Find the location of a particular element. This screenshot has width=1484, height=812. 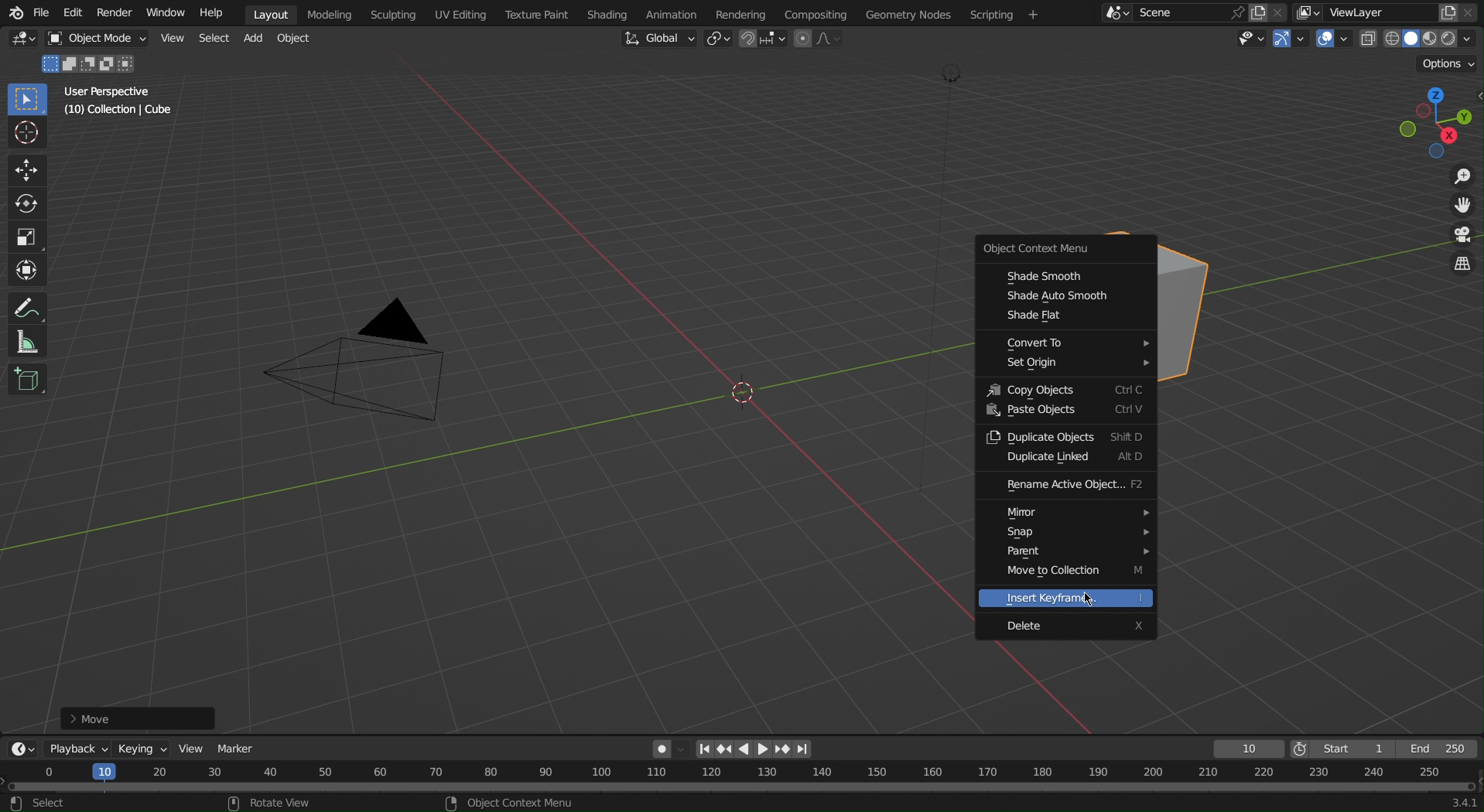

Add is located at coordinates (254, 39).